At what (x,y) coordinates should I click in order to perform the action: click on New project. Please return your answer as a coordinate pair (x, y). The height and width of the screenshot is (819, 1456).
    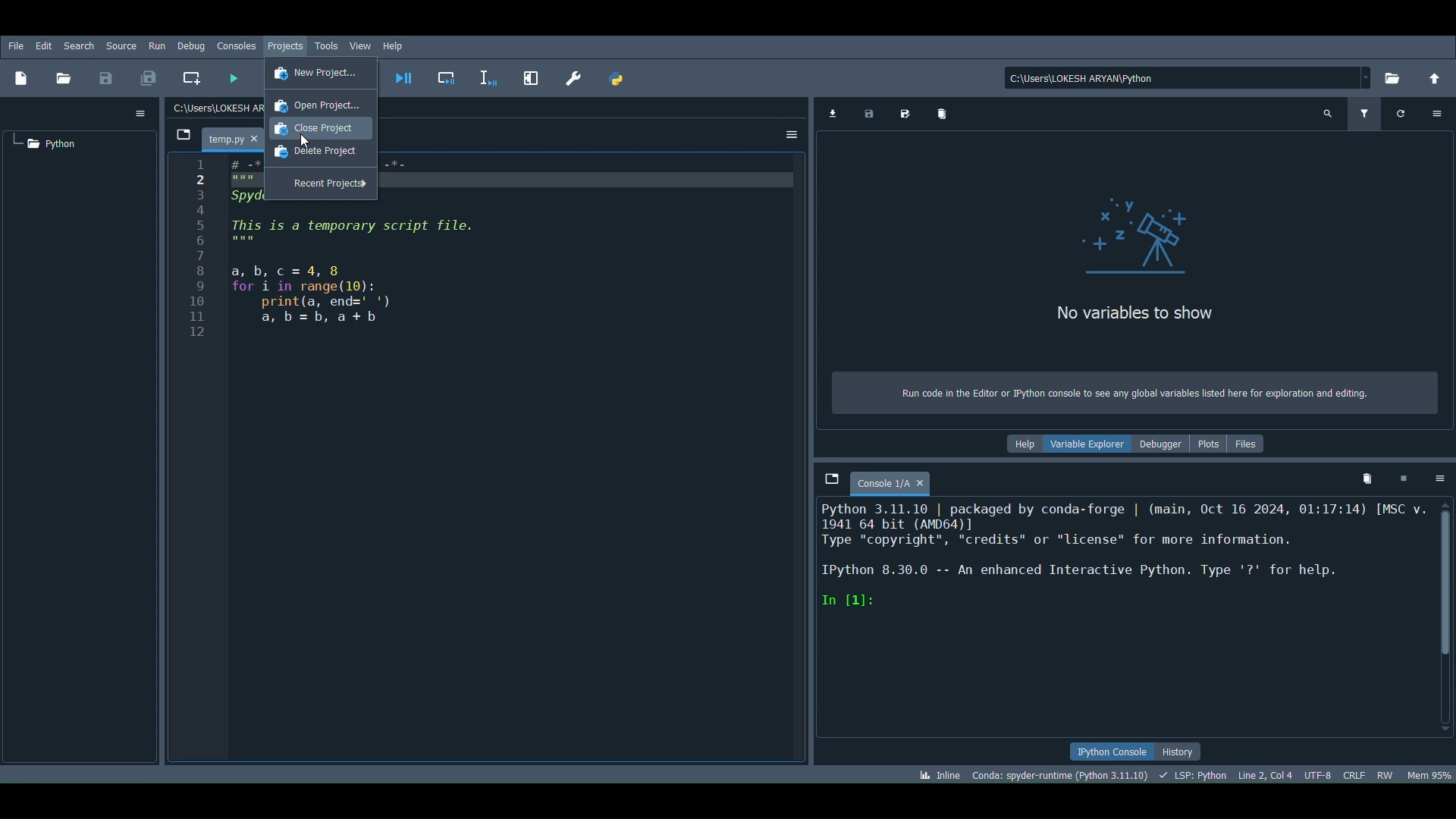
    Looking at the image, I should click on (317, 73).